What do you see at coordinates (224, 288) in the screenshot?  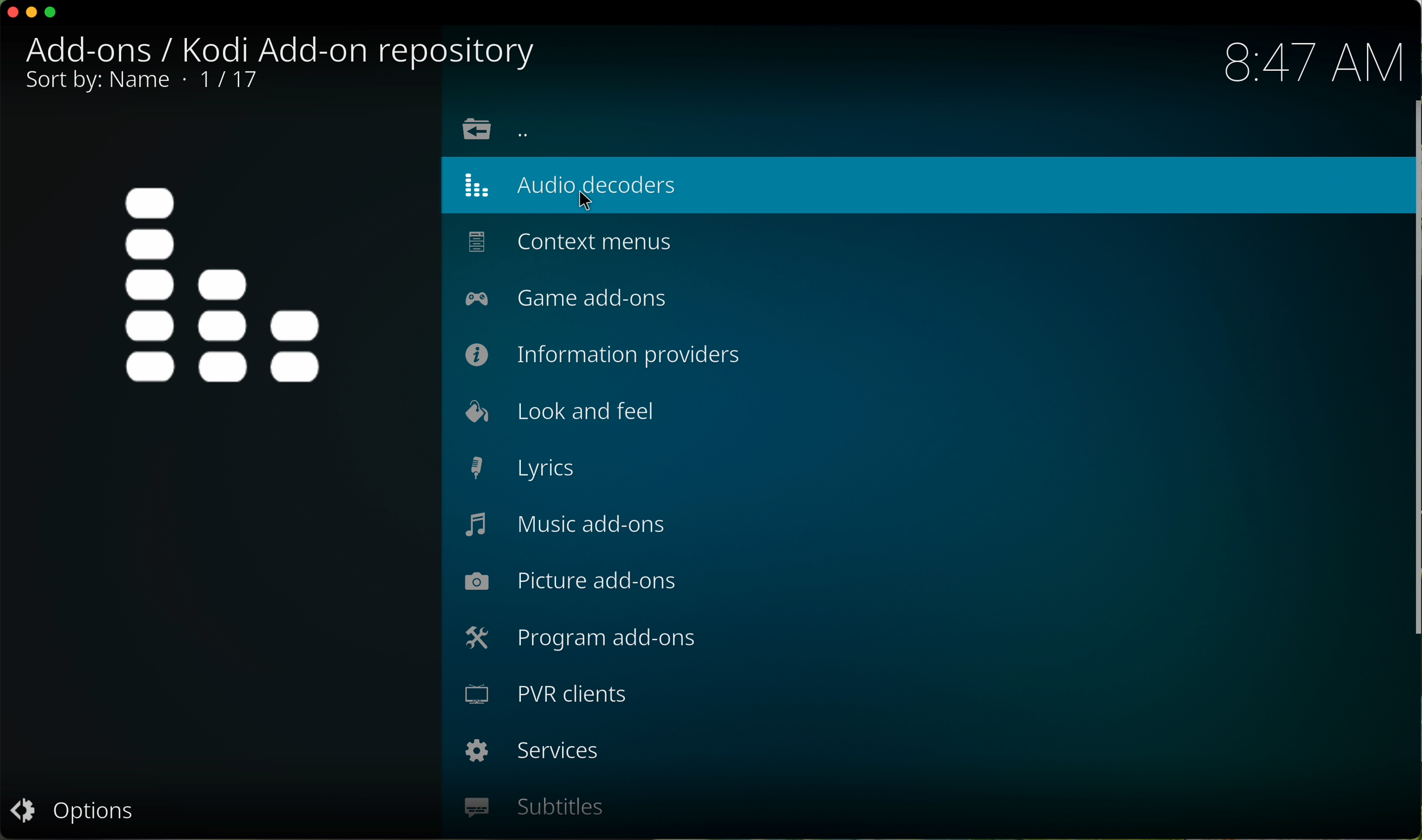 I see `icon repository` at bounding box center [224, 288].